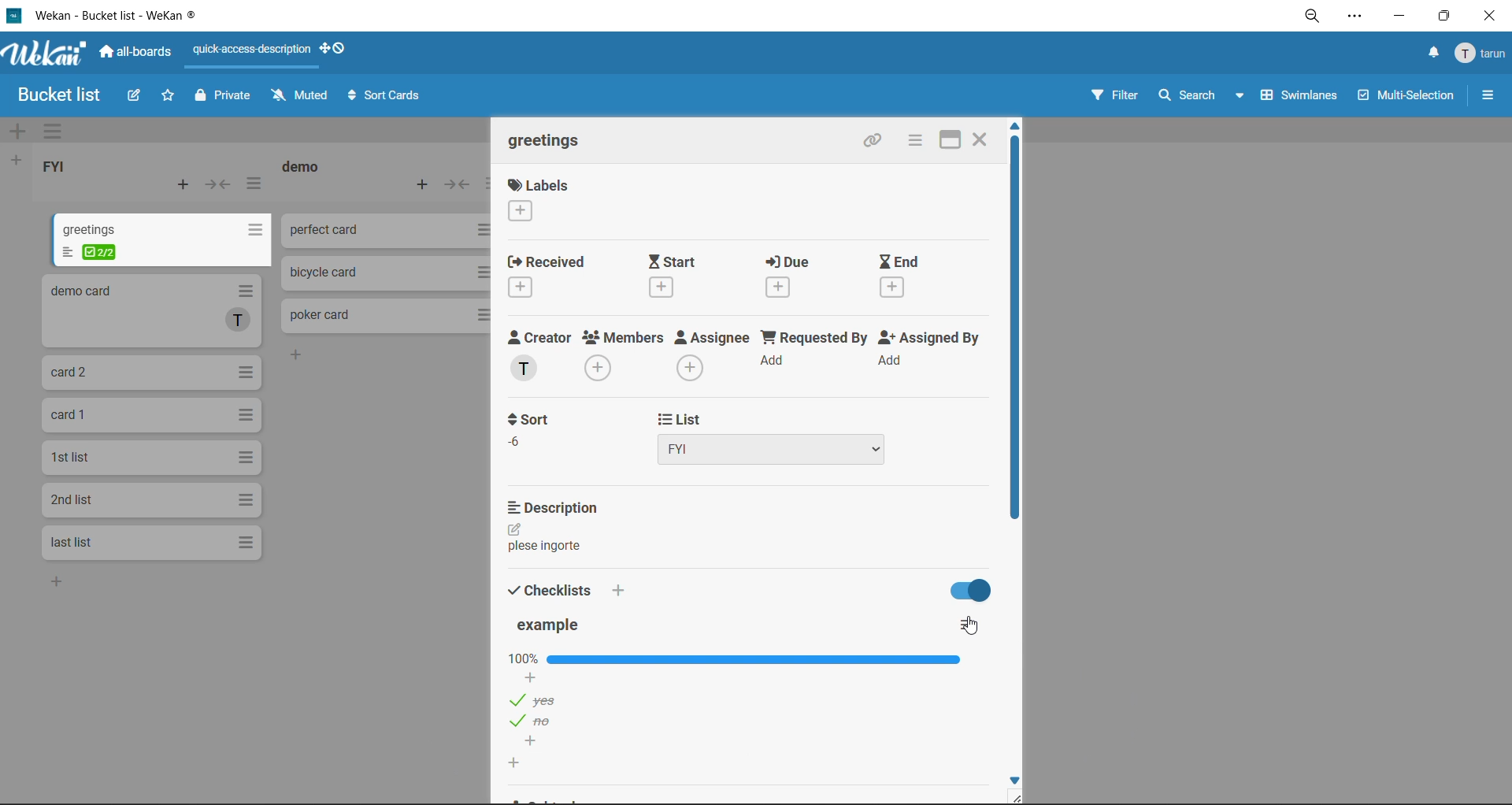  I want to click on cards, so click(163, 239).